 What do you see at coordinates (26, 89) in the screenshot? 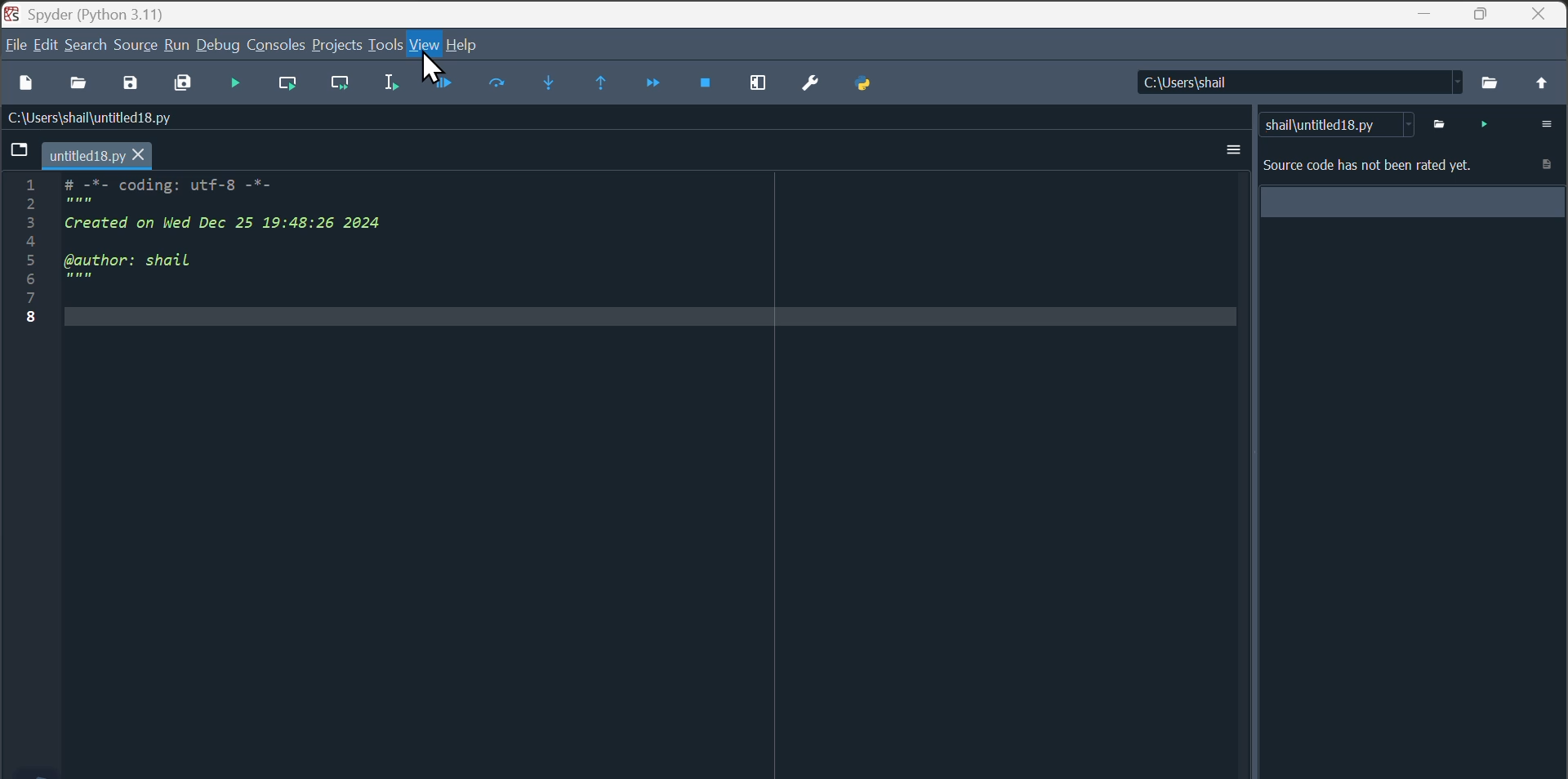
I see `New` at bounding box center [26, 89].